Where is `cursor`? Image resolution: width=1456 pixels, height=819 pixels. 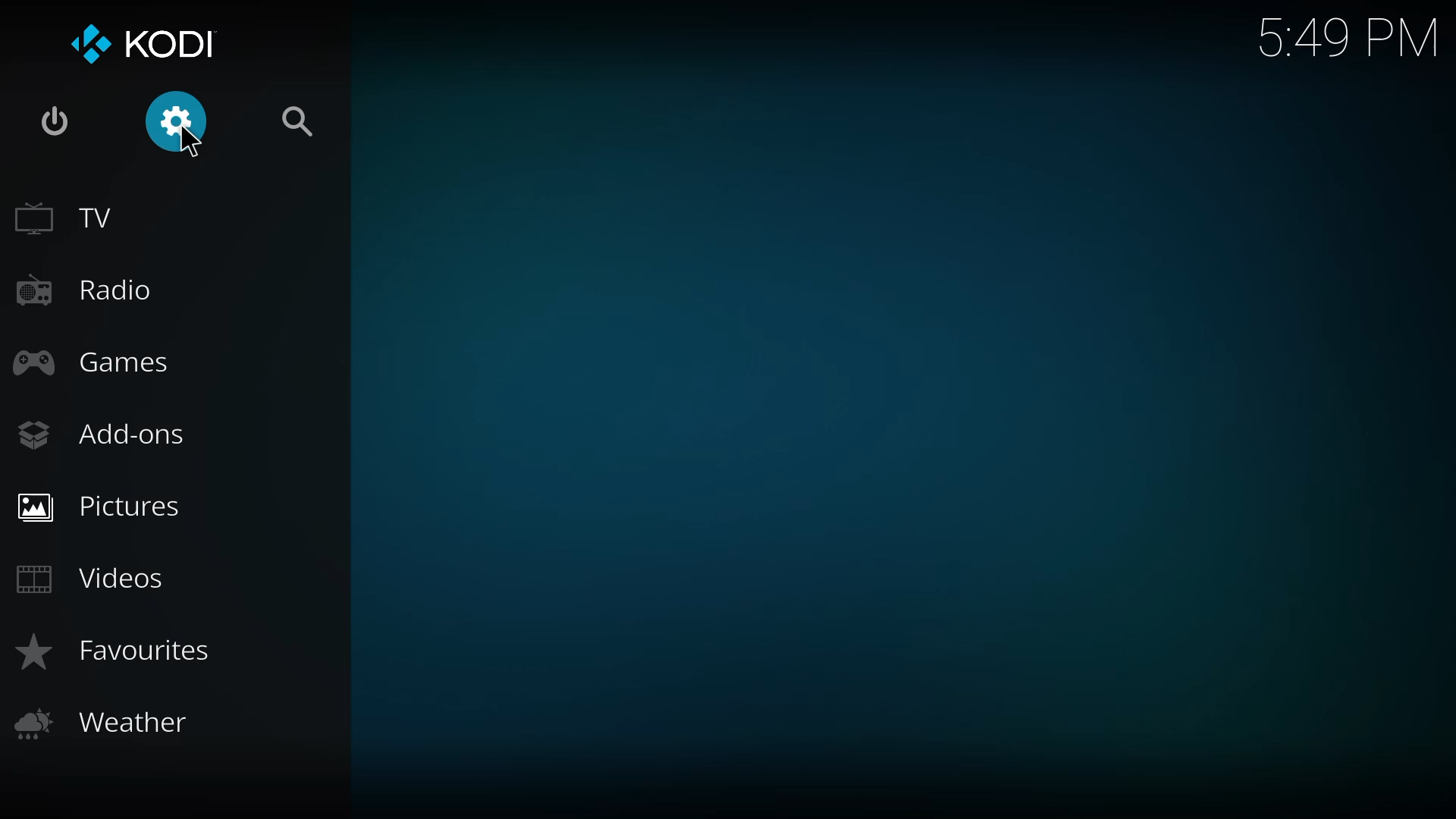
cursor is located at coordinates (192, 143).